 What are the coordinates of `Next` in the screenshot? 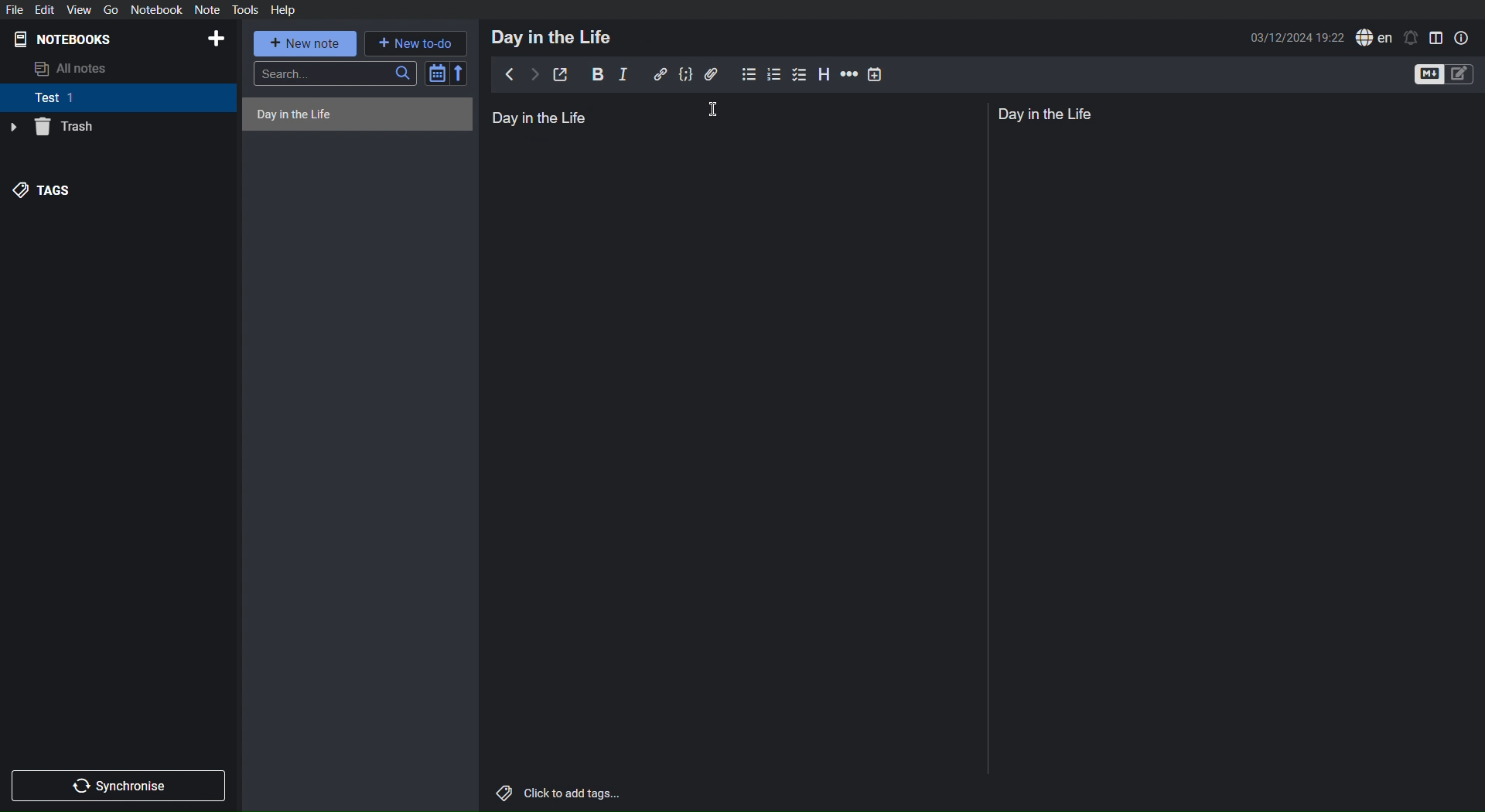 It's located at (533, 73).